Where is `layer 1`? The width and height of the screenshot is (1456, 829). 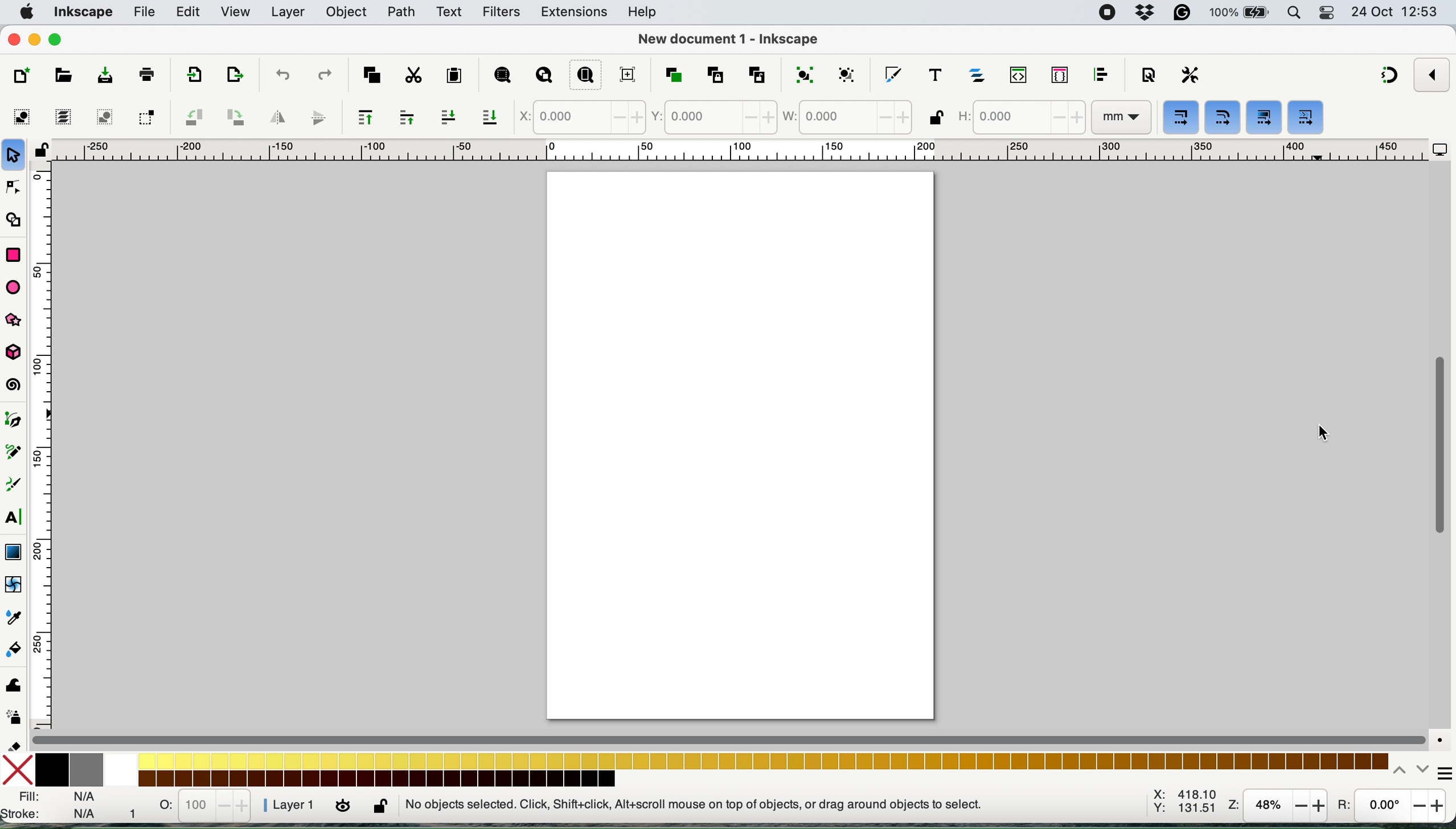
layer 1 is located at coordinates (288, 805).